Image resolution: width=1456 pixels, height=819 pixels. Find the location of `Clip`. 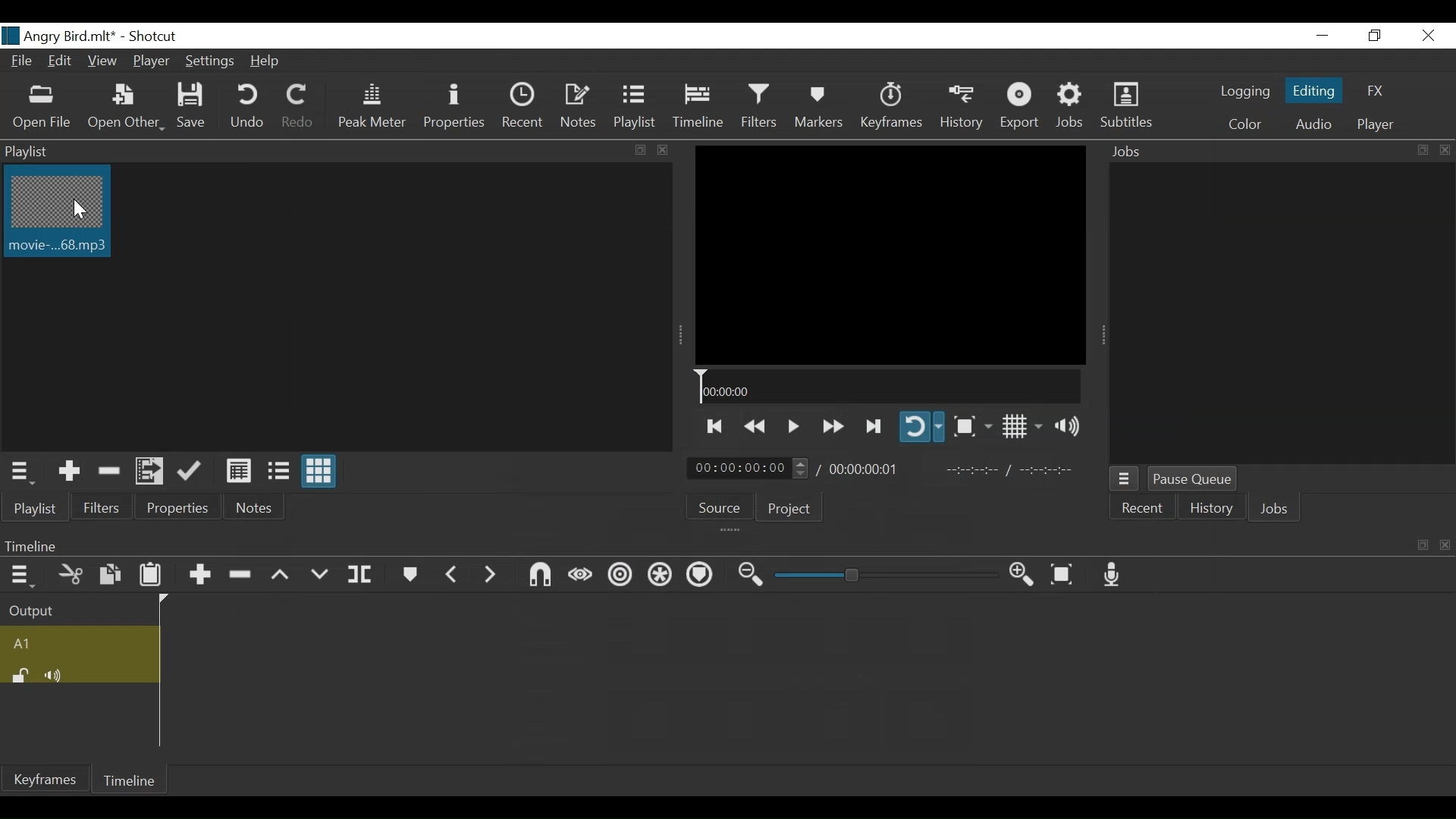

Clip is located at coordinates (58, 214).